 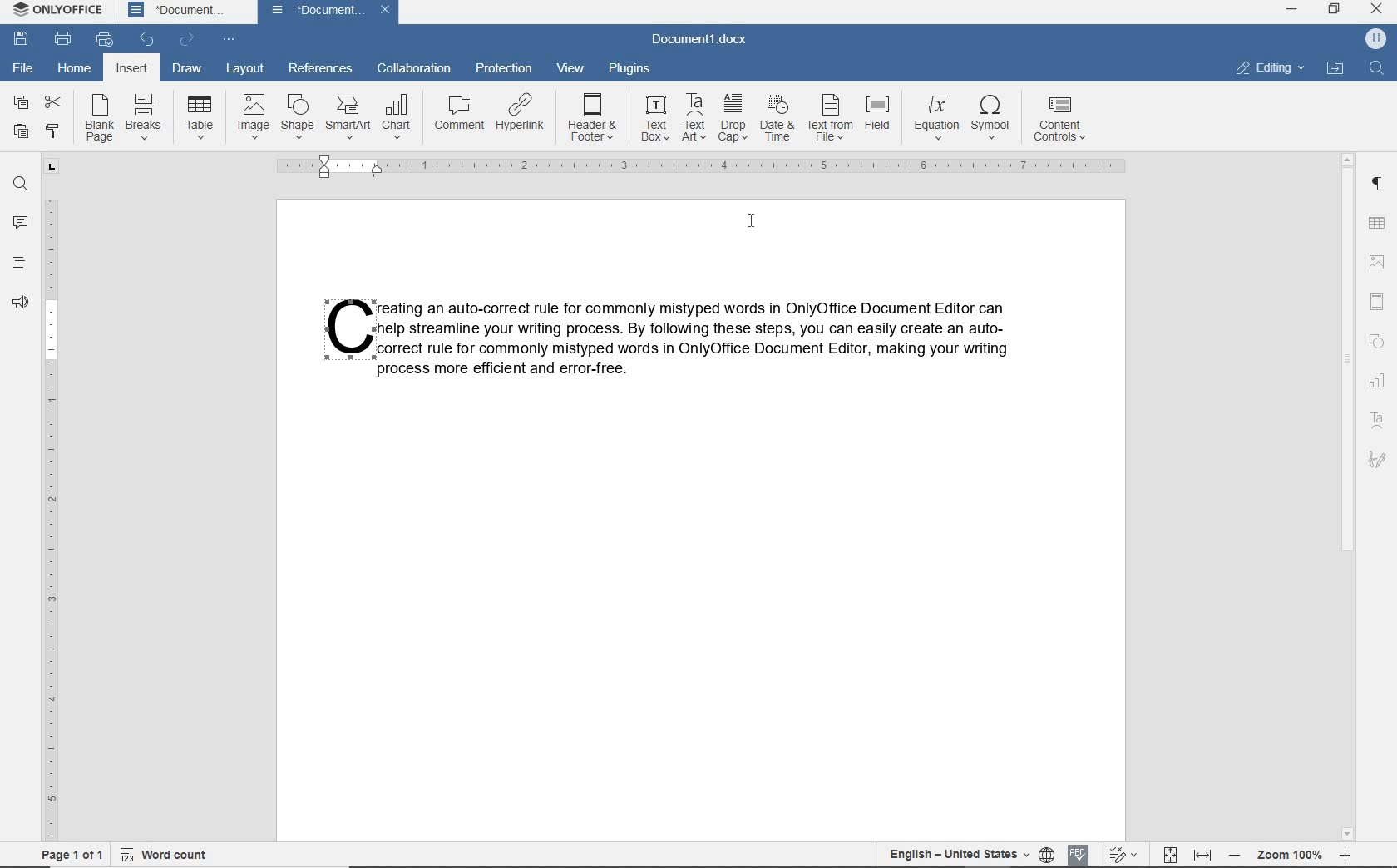 I want to click on references, so click(x=318, y=68).